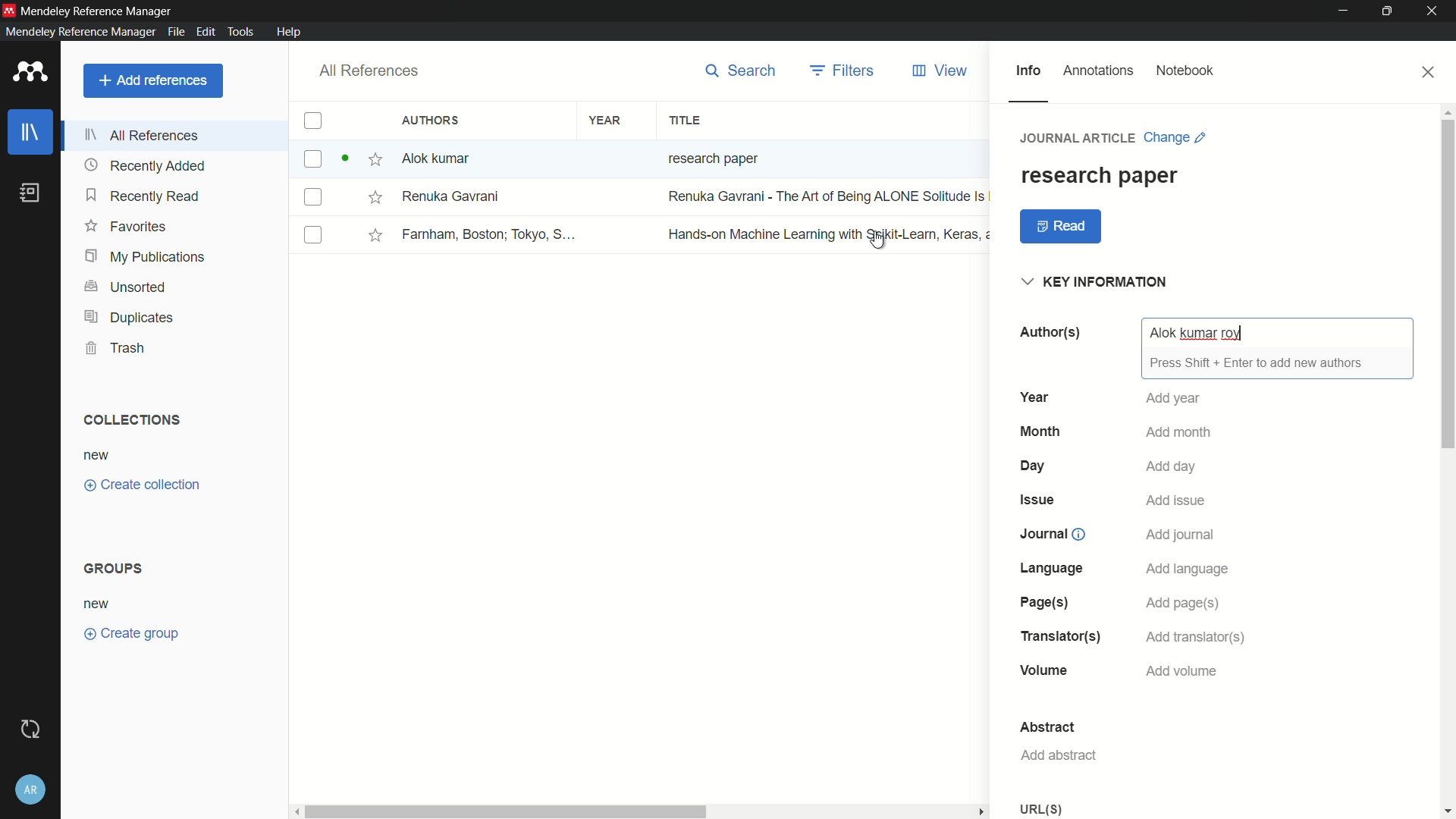 The width and height of the screenshot is (1456, 819). I want to click on abstract, so click(1048, 726).